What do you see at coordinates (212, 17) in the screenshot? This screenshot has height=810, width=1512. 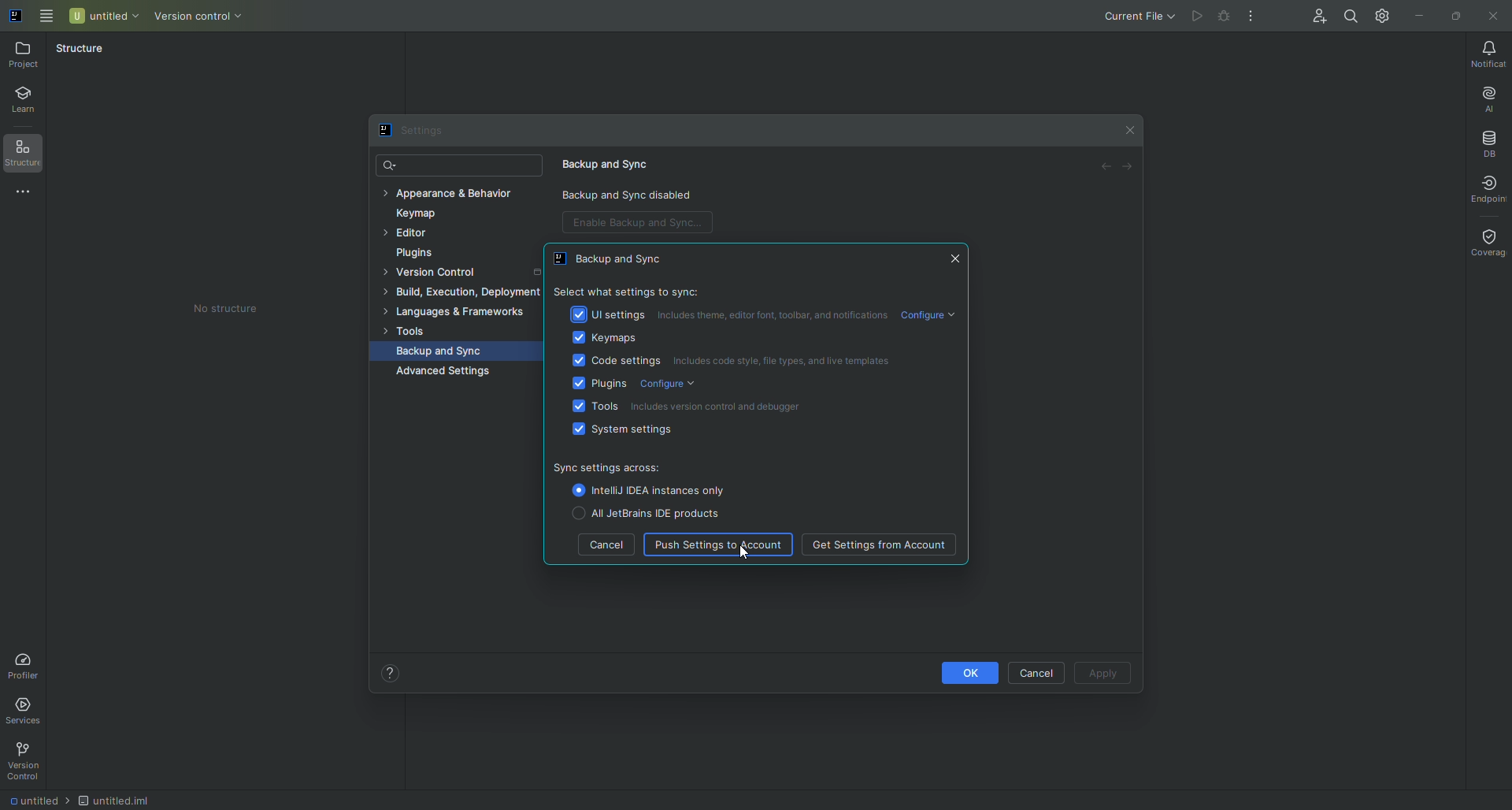 I see `Version Control` at bounding box center [212, 17].